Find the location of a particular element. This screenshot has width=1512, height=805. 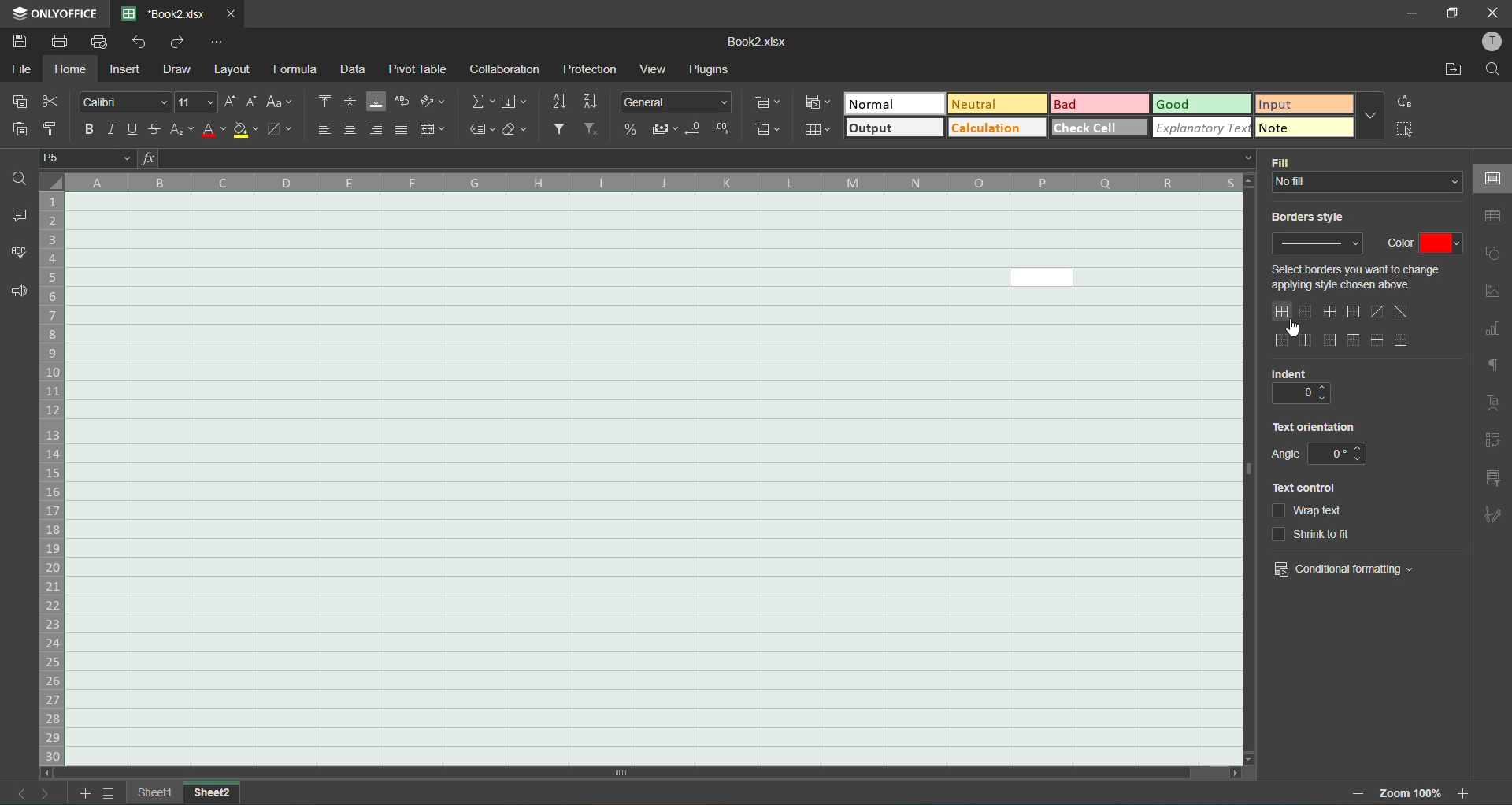

copy style is located at coordinates (55, 129).